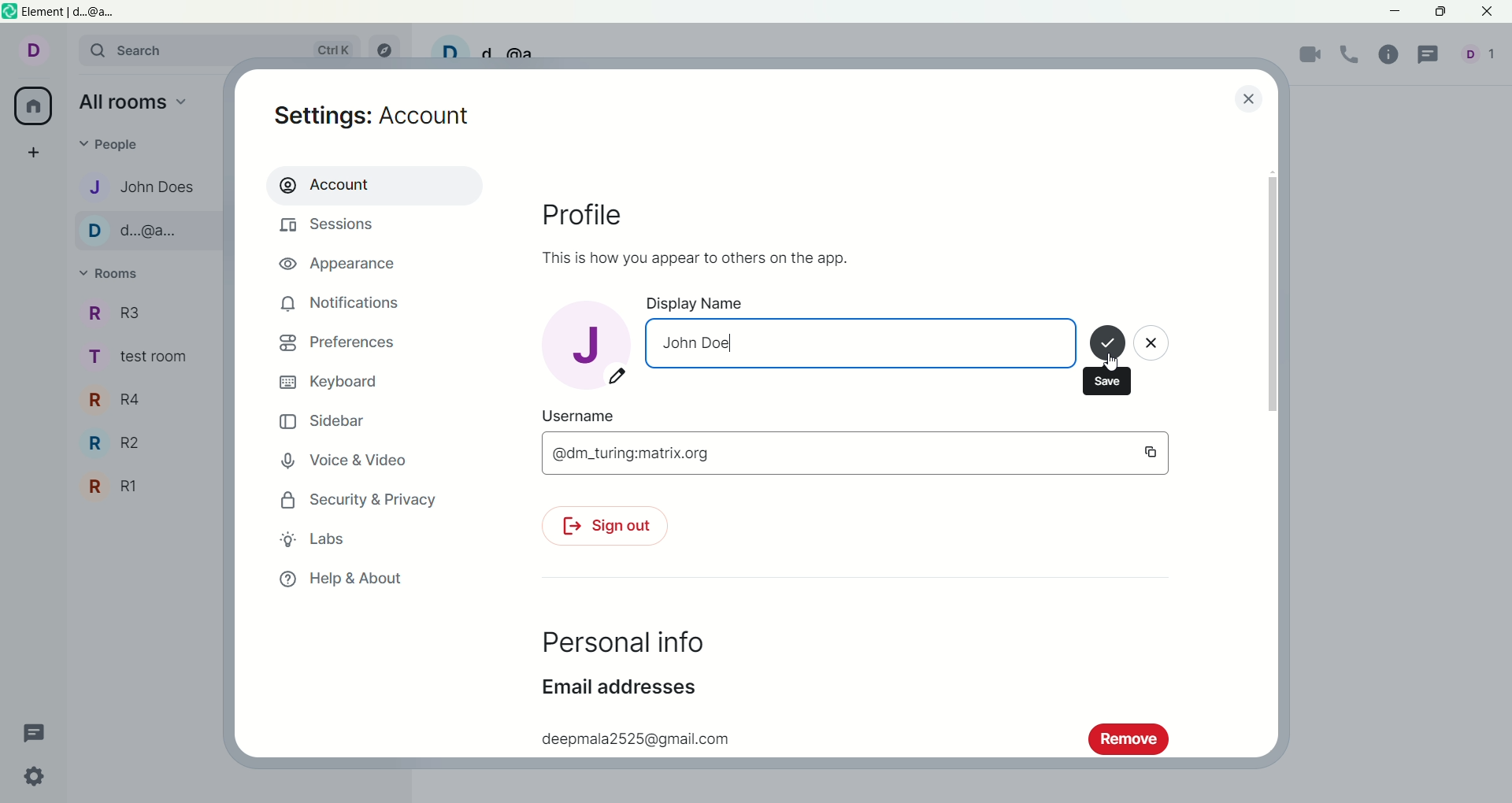 This screenshot has width=1512, height=803. What do you see at coordinates (341, 580) in the screenshot?
I see `help and about` at bounding box center [341, 580].